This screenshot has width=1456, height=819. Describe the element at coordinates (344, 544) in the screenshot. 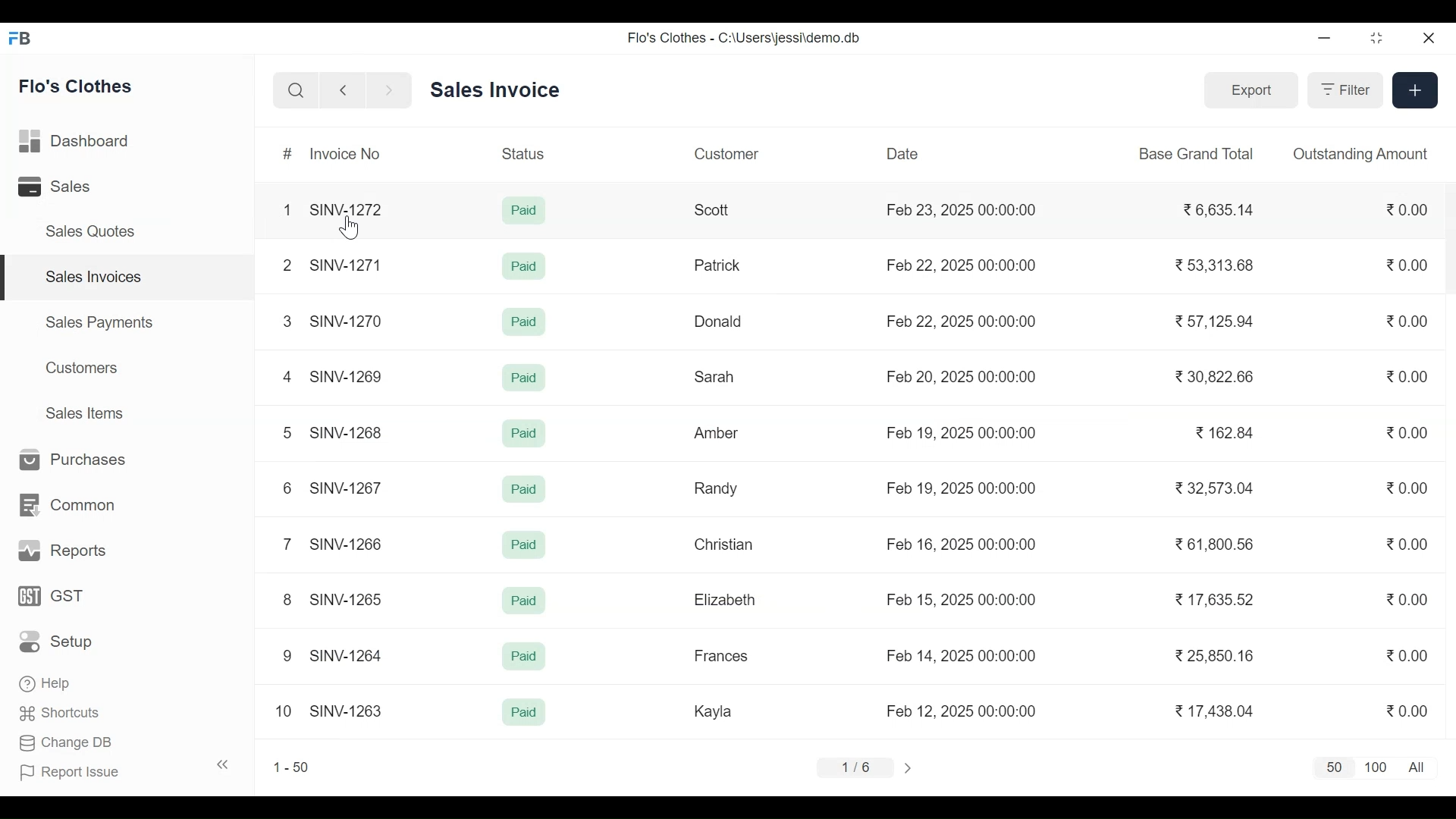

I see `SINV-1266` at that location.